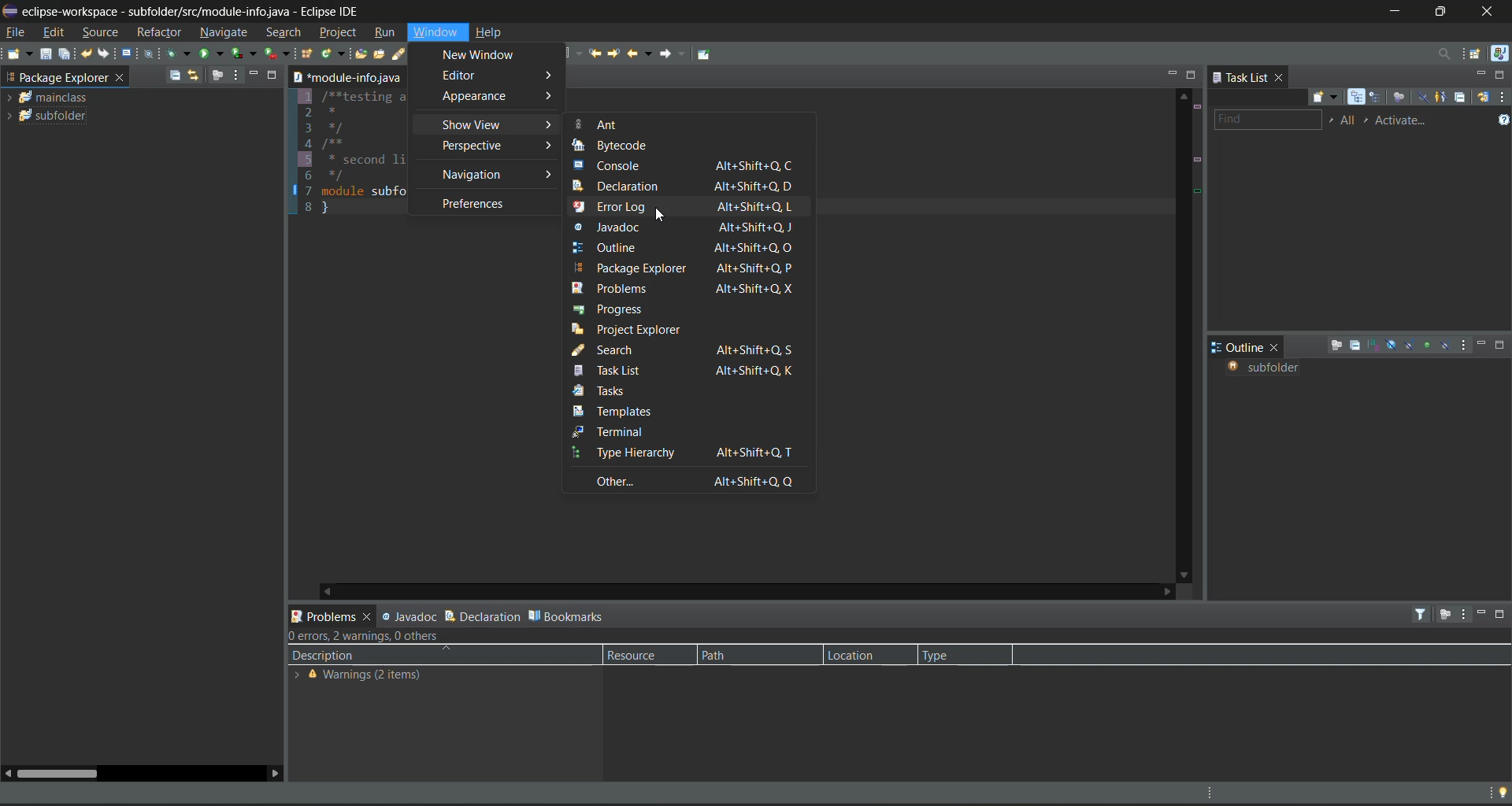 Image resolution: width=1512 pixels, height=806 pixels. What do you see at coordinates (704, 54) in the screenshot?
I see `pin editor` at bounding box center [704, 54].